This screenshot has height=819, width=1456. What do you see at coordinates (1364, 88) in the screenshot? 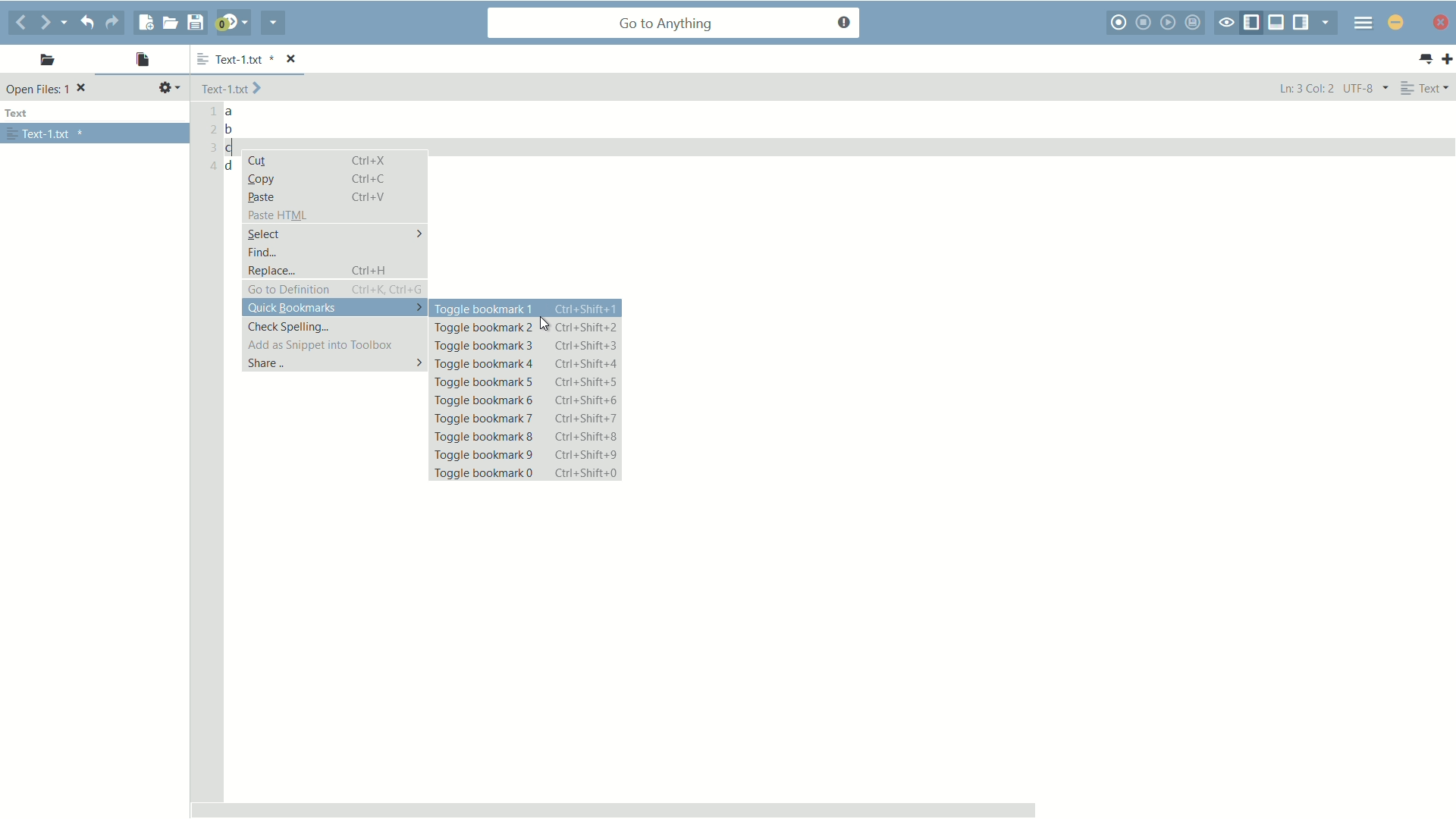
I see `UTF-8` at bounding box center [1364, 88].